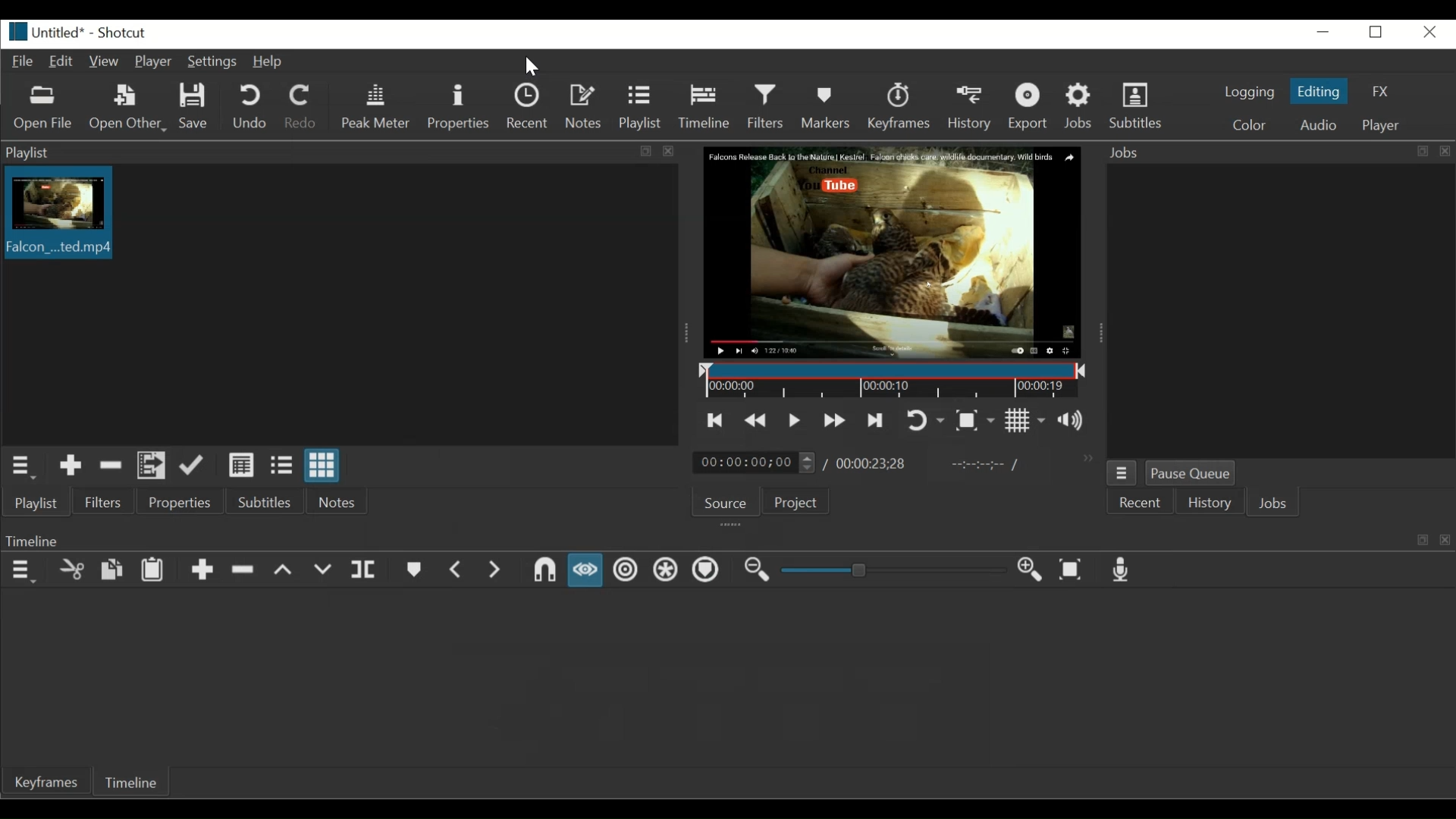 The width and height of the screenshot is (1456, 819). I want to click on Toggle Zoom, so click(976, 419).